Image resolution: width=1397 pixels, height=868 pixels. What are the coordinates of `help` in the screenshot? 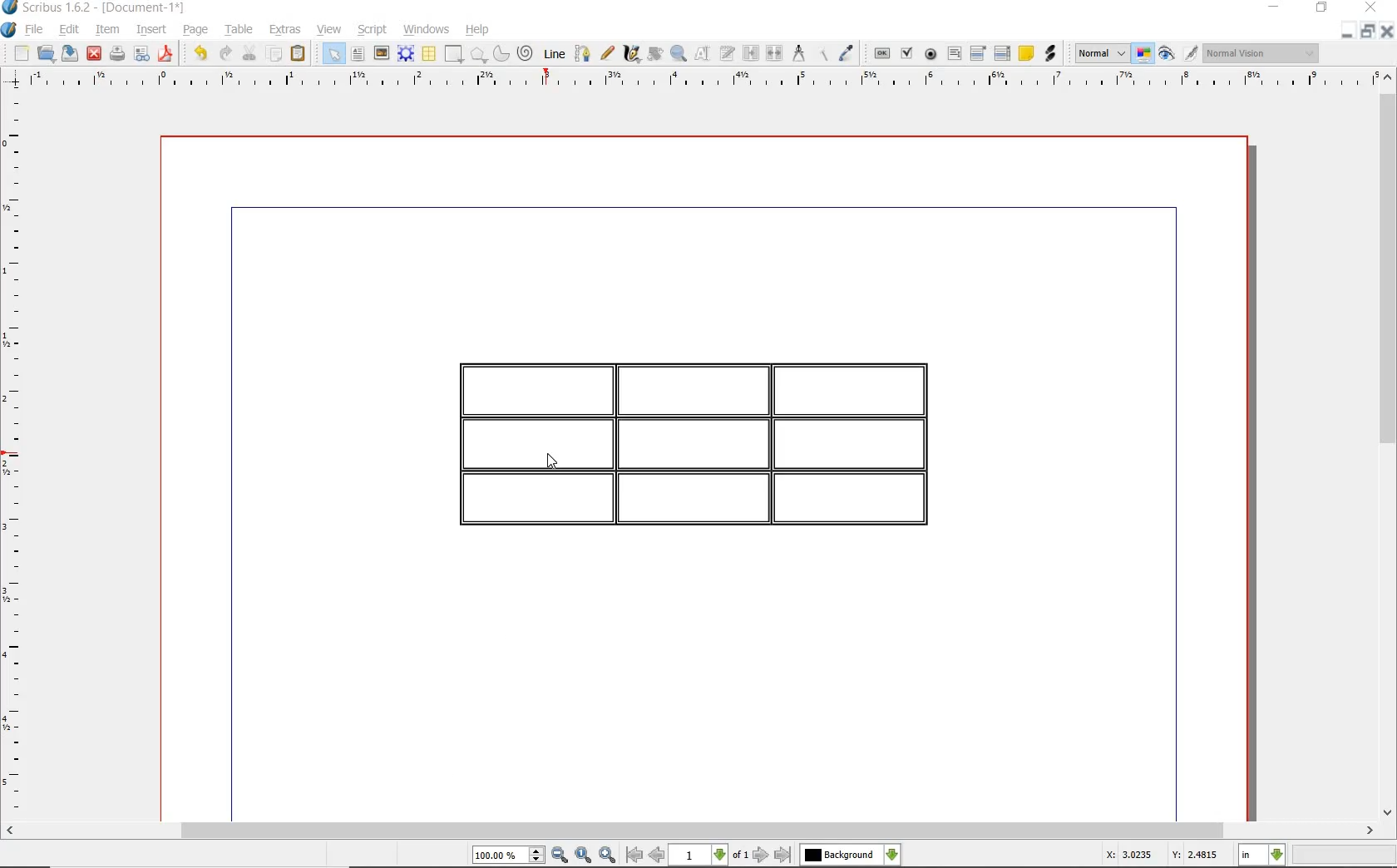 It's located at (476, 31).